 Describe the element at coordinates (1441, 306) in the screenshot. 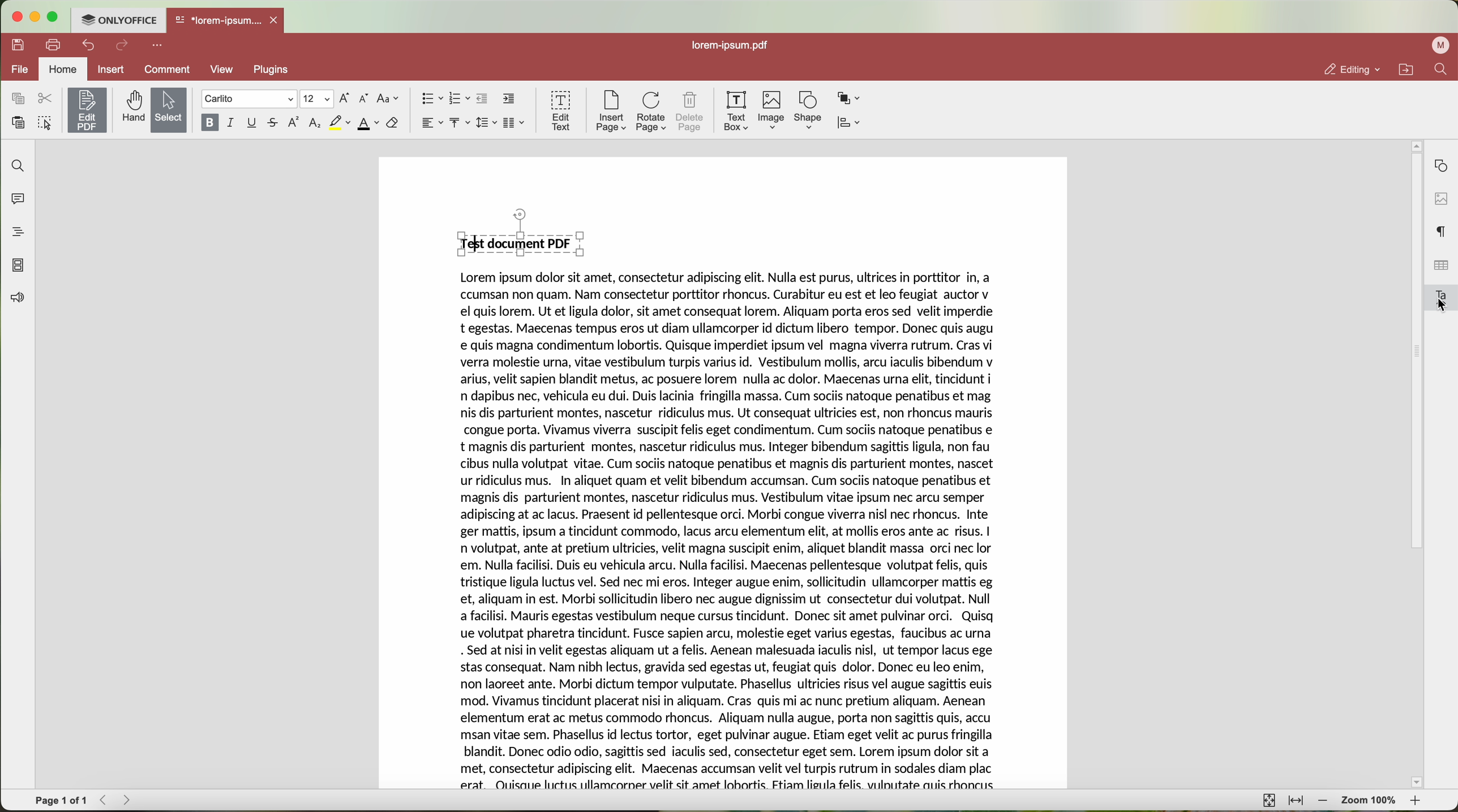

I see `cursor` at that location.